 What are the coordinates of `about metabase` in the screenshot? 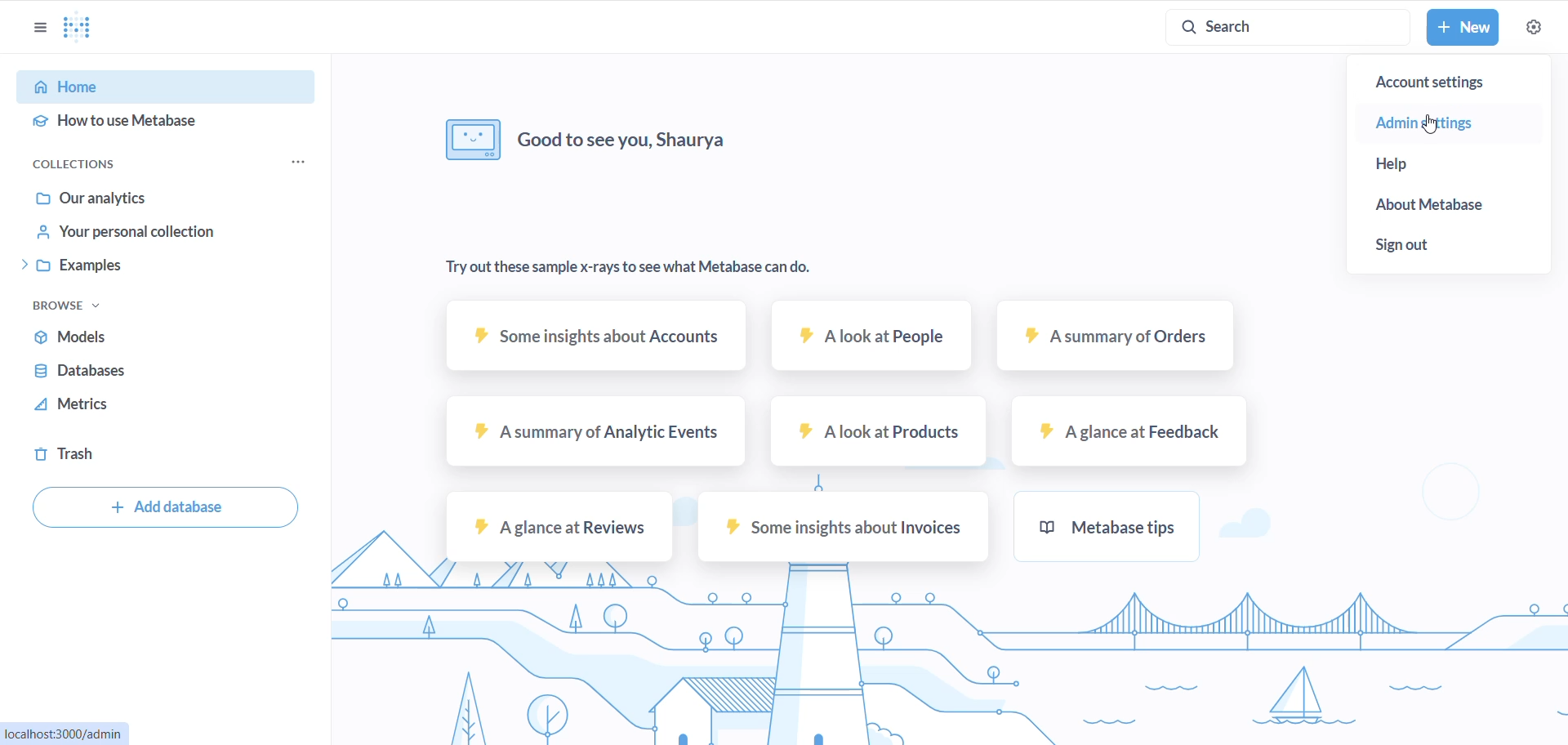 It's located at (1425, 203).